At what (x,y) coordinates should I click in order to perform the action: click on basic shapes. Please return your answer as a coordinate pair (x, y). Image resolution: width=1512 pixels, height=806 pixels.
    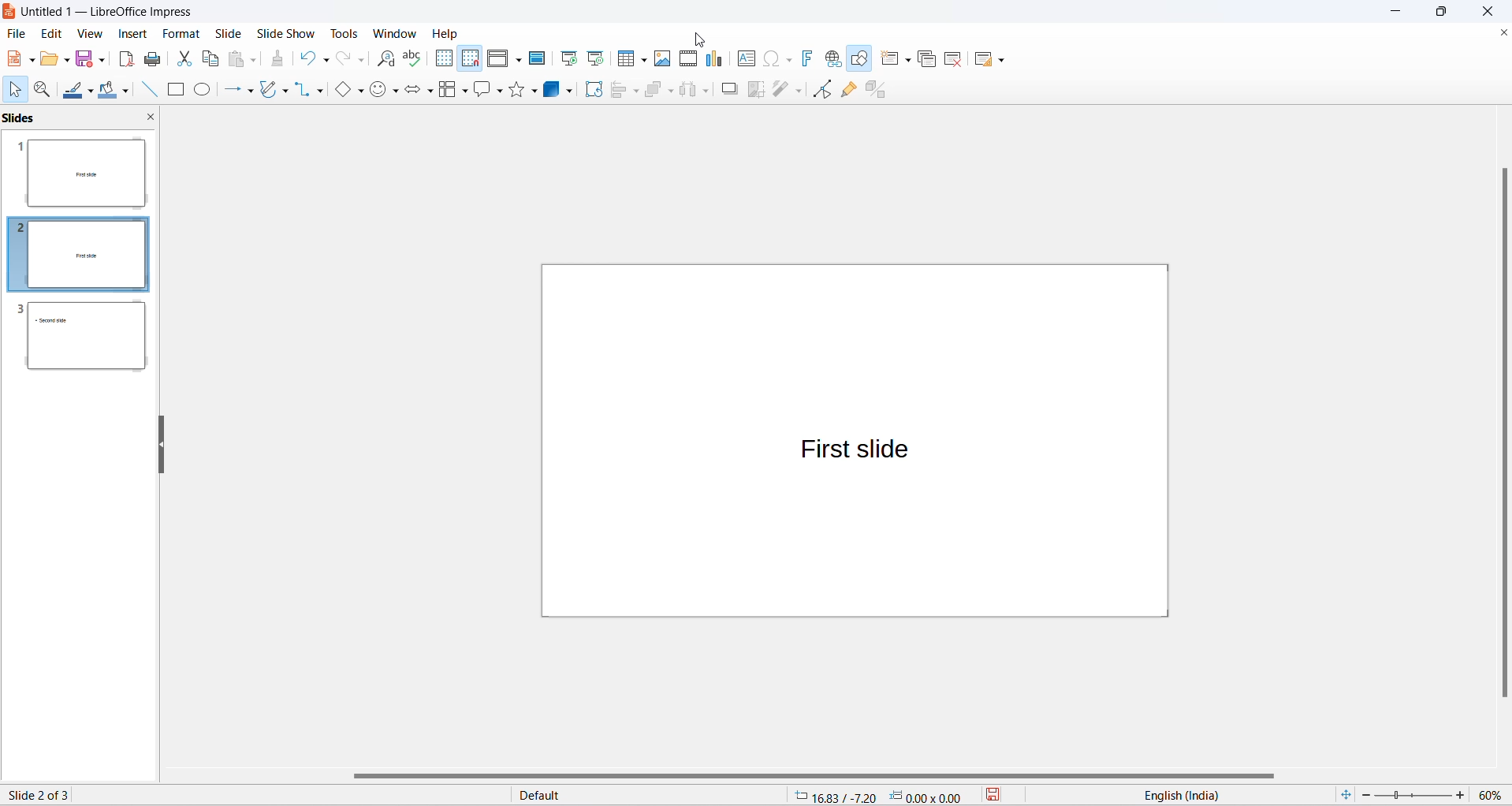
    Looking at the image, I should click on (341, 91).